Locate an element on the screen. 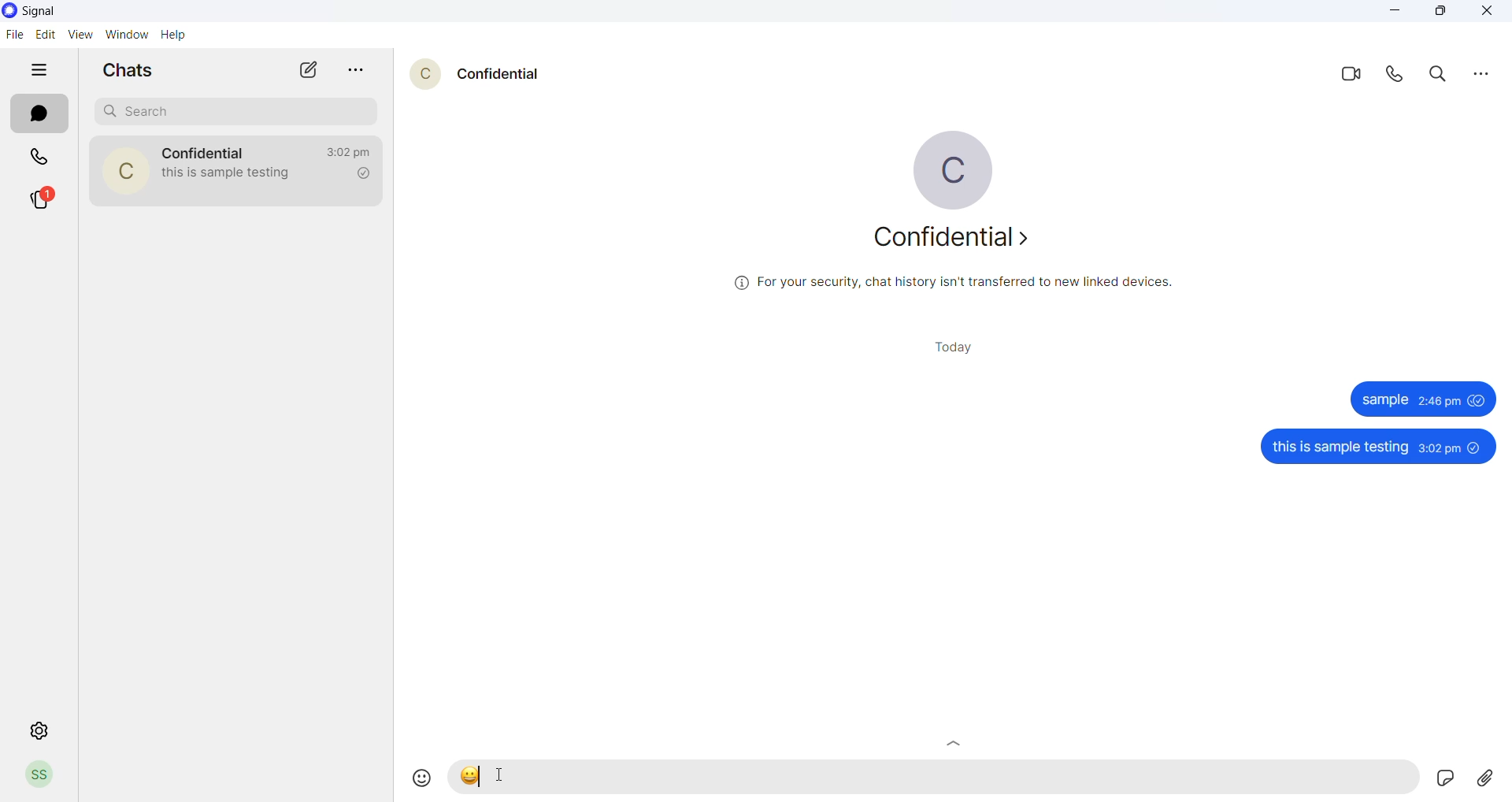  close is located at coordinates (1484, 13).